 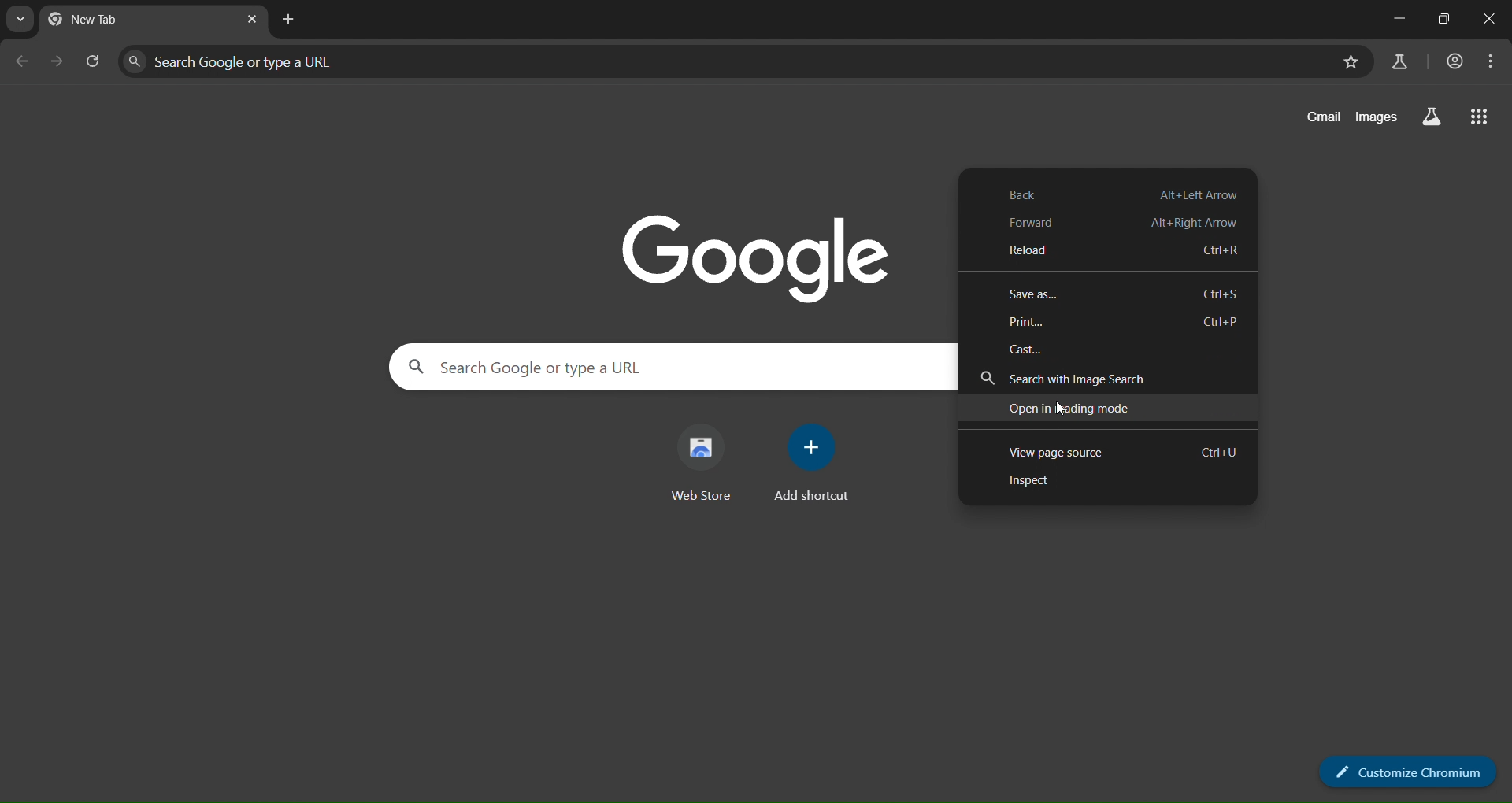 I want to click on search tabs, so click(x=22, y=18).